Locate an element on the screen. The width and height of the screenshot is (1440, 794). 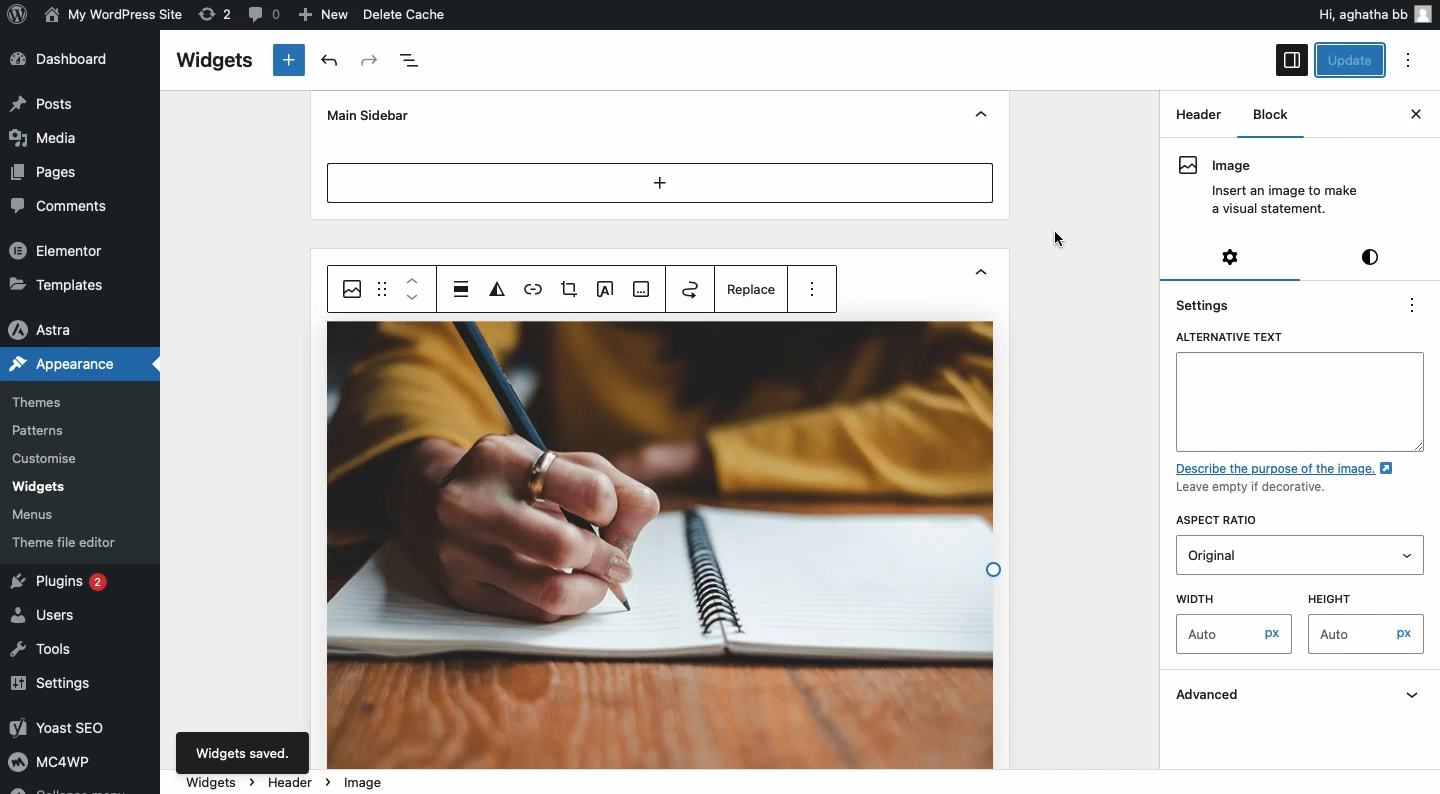
Link is located at coordinates (532, 291).